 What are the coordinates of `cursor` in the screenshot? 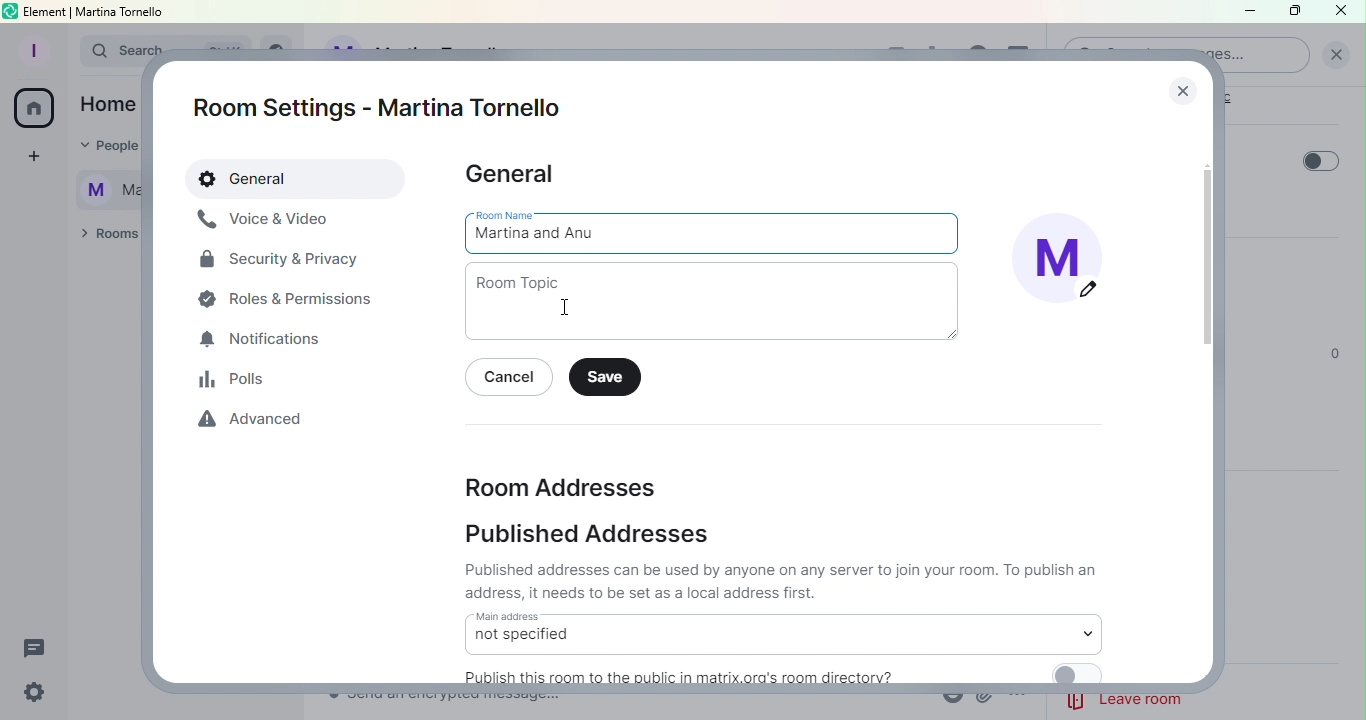 It's located at (567, 307).